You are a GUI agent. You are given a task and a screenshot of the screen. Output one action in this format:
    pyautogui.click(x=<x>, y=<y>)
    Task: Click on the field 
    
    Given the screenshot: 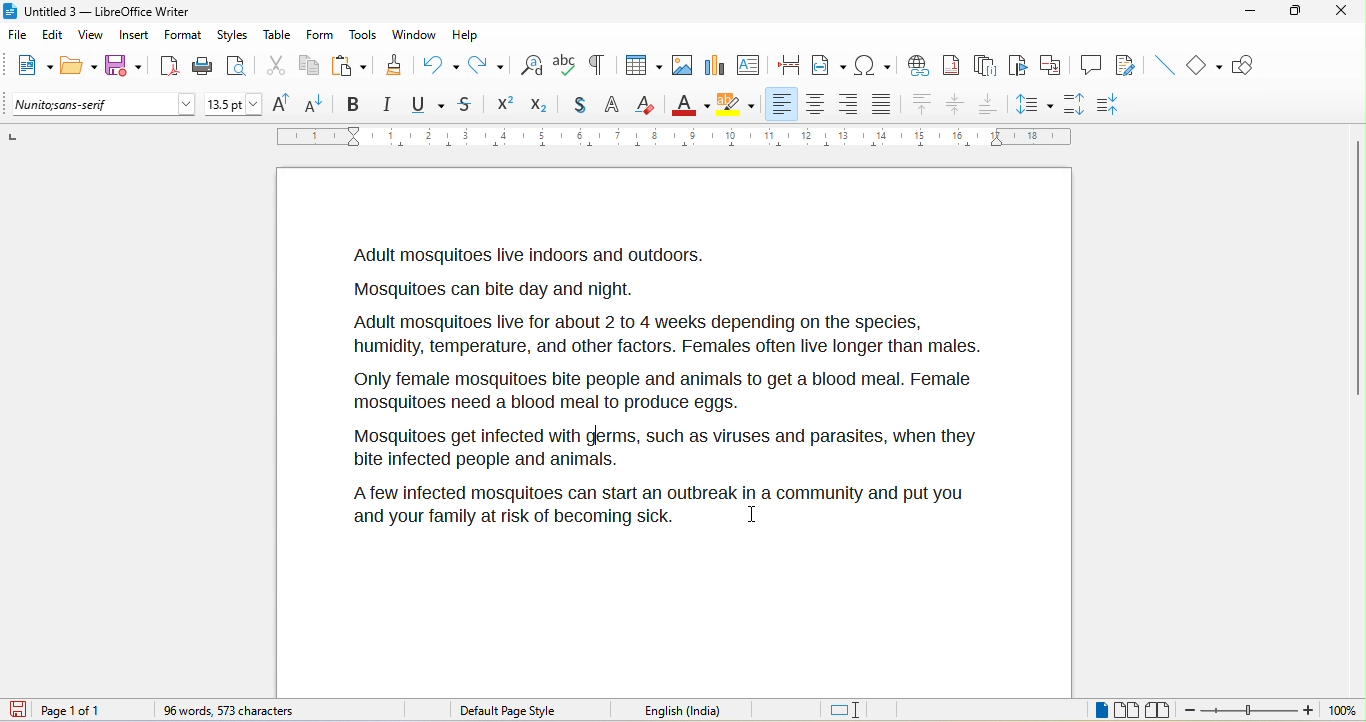 What is the action you would take?
    pyautogui.click(x=829, y=68)
    